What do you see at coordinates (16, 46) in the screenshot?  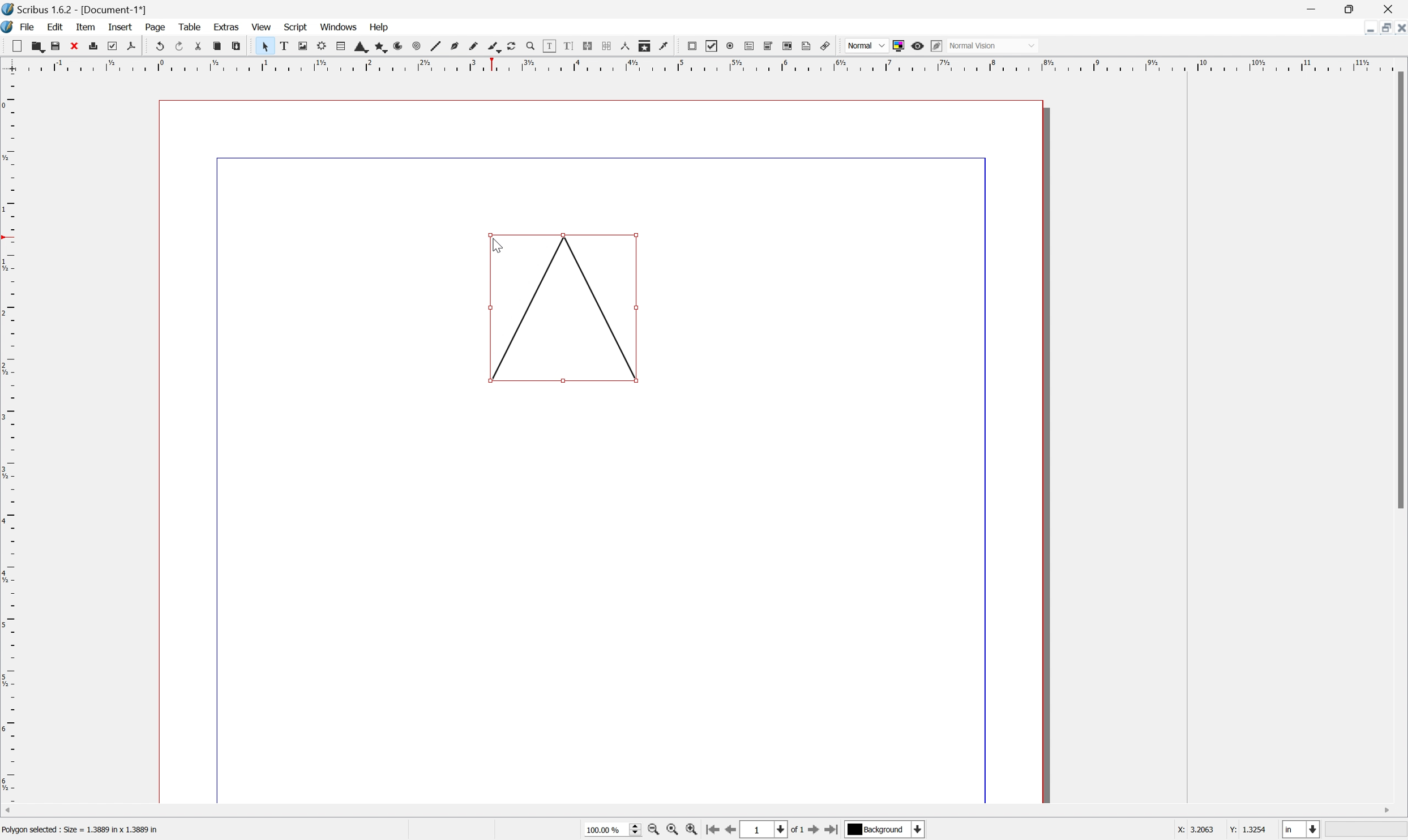 I see `New` at bounding box center [16, 46].